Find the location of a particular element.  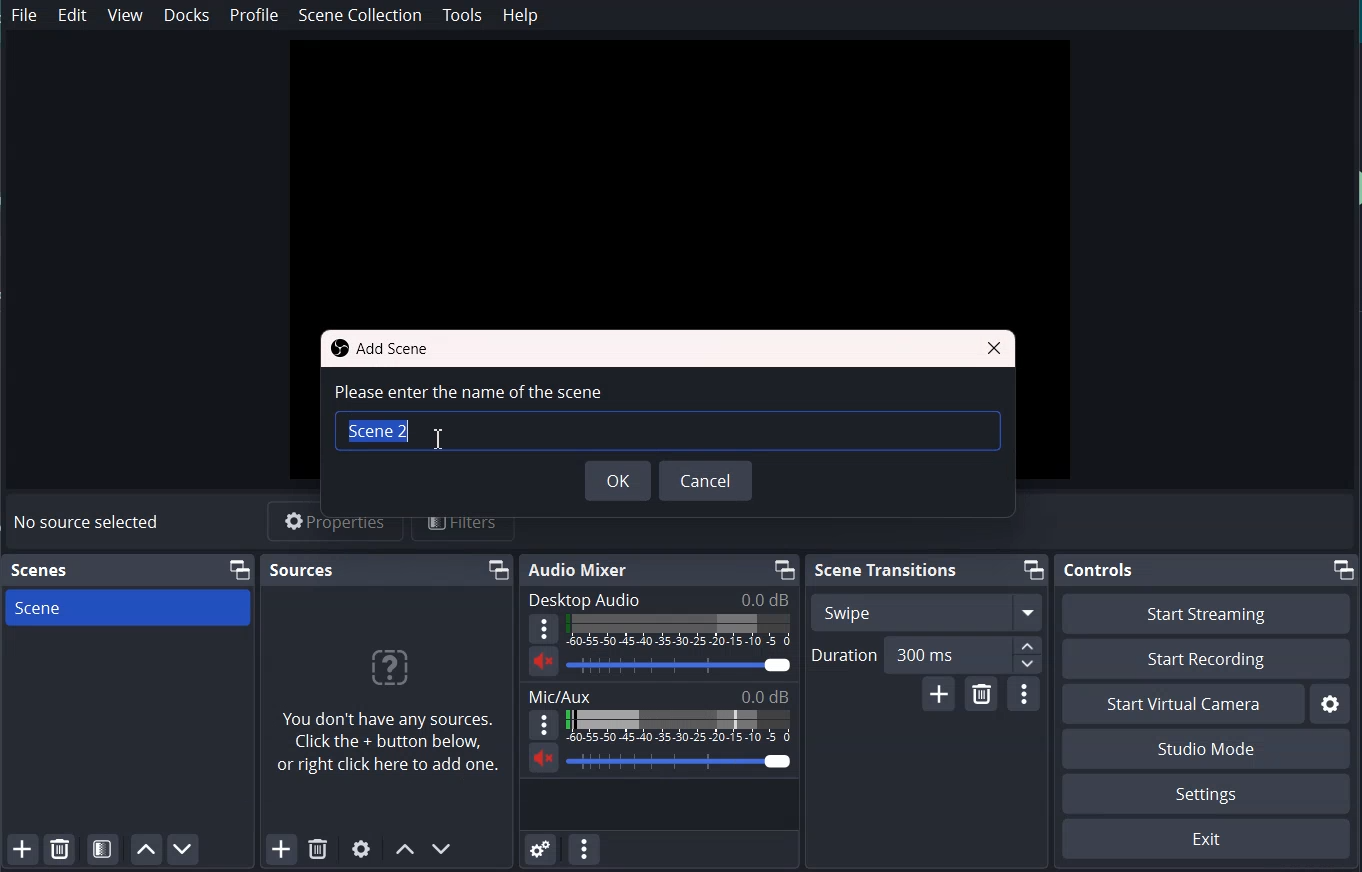

Volume indicator is located at coordinates (679, 630).